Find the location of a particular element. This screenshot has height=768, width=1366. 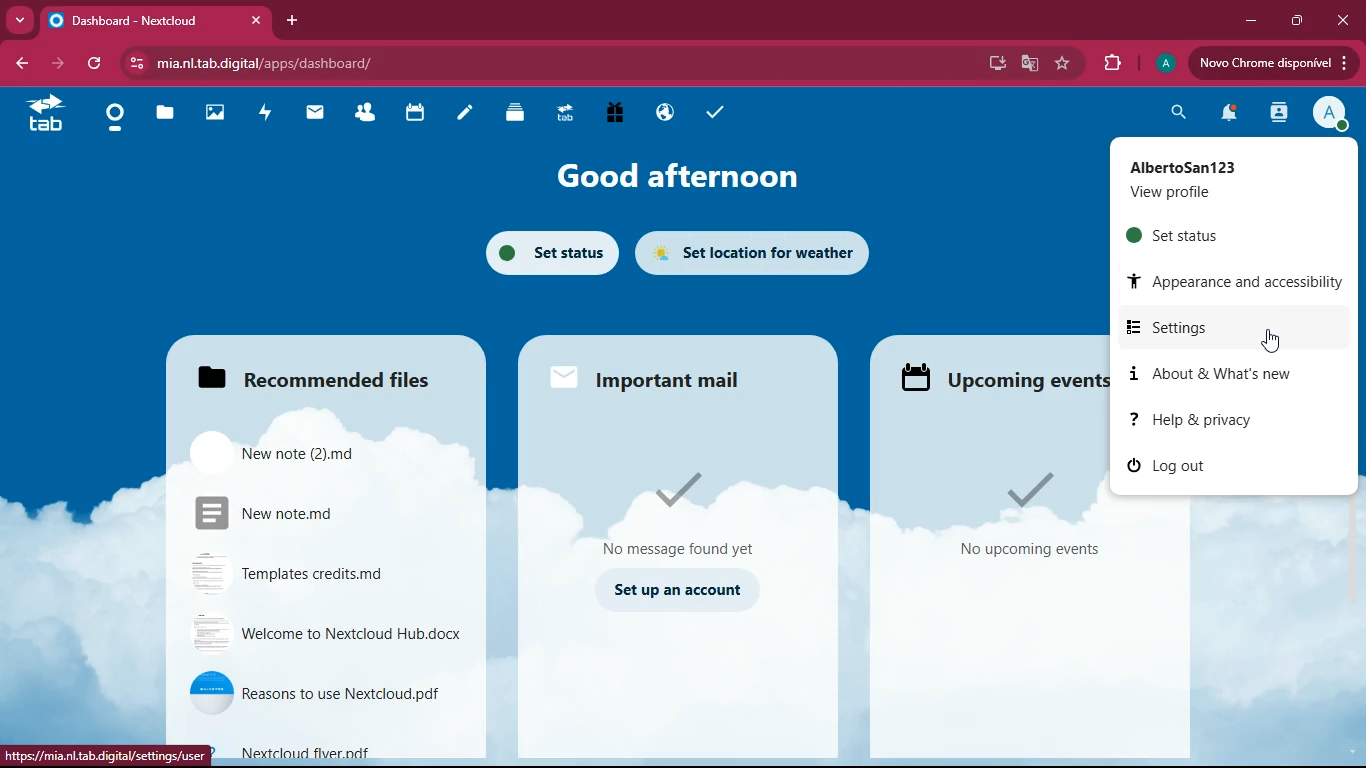

desktop is located at coordinates (1001, 63).